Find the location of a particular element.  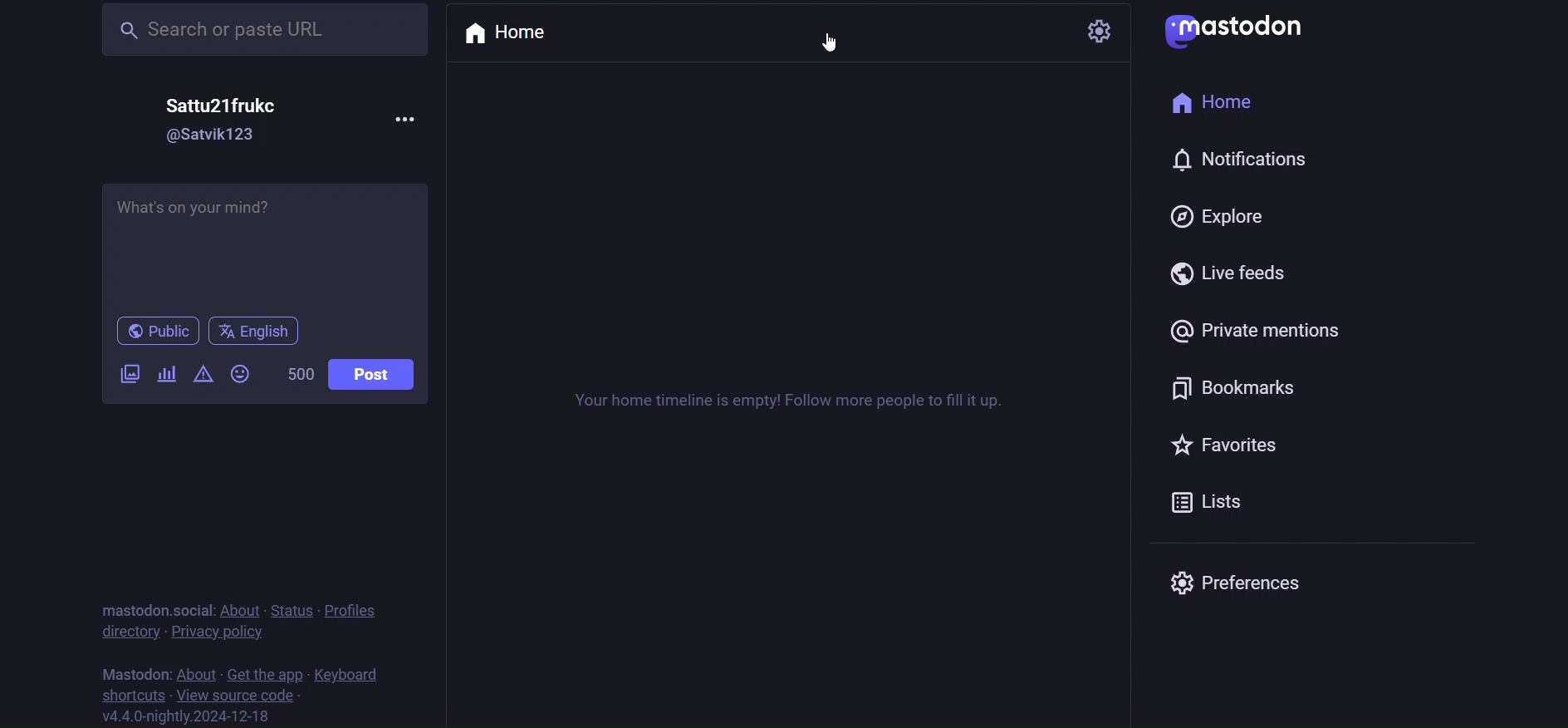

source code is located at coordinates (241, 696).